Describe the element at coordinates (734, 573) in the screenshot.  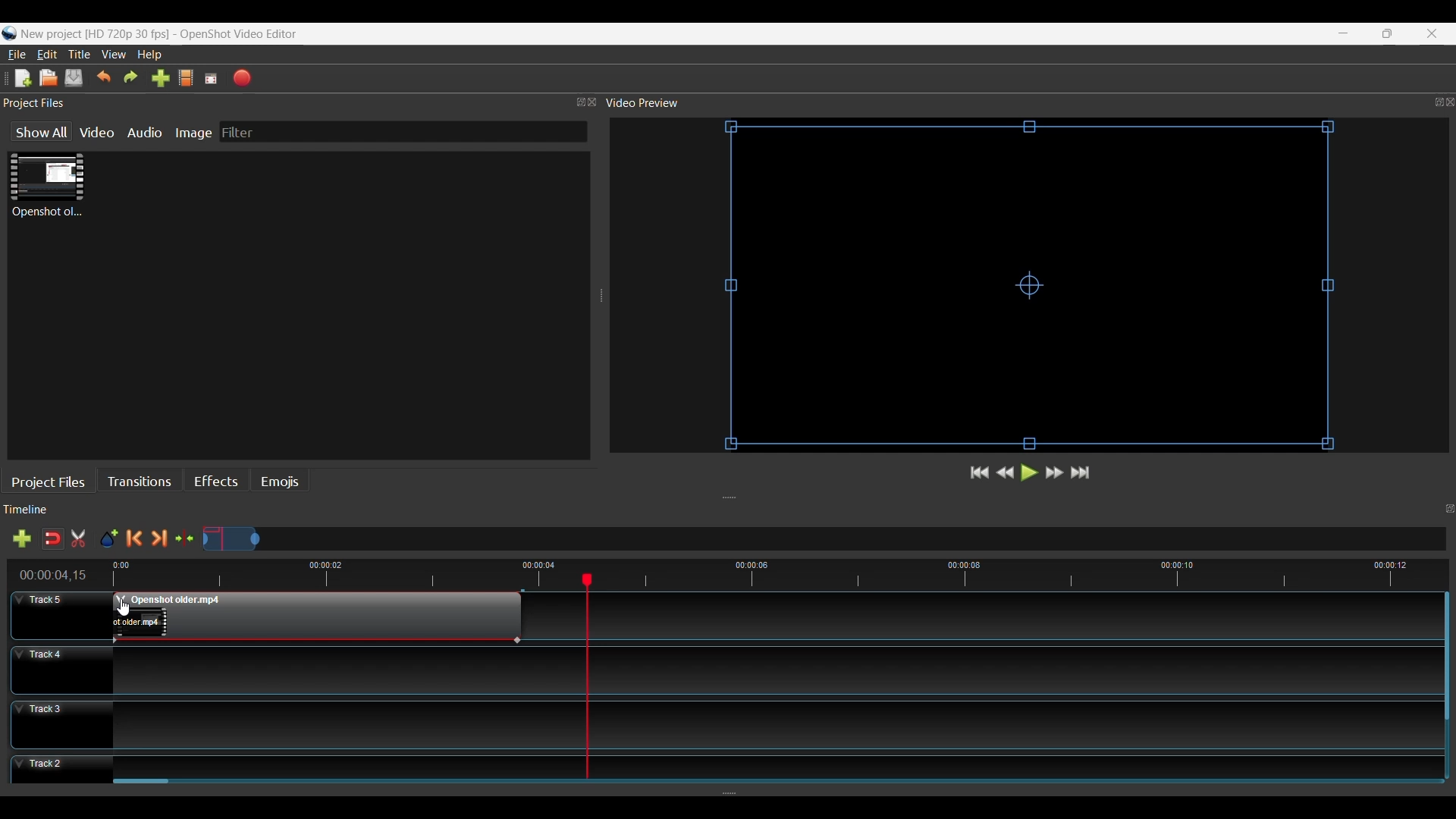
I see `Timeline` at that location.